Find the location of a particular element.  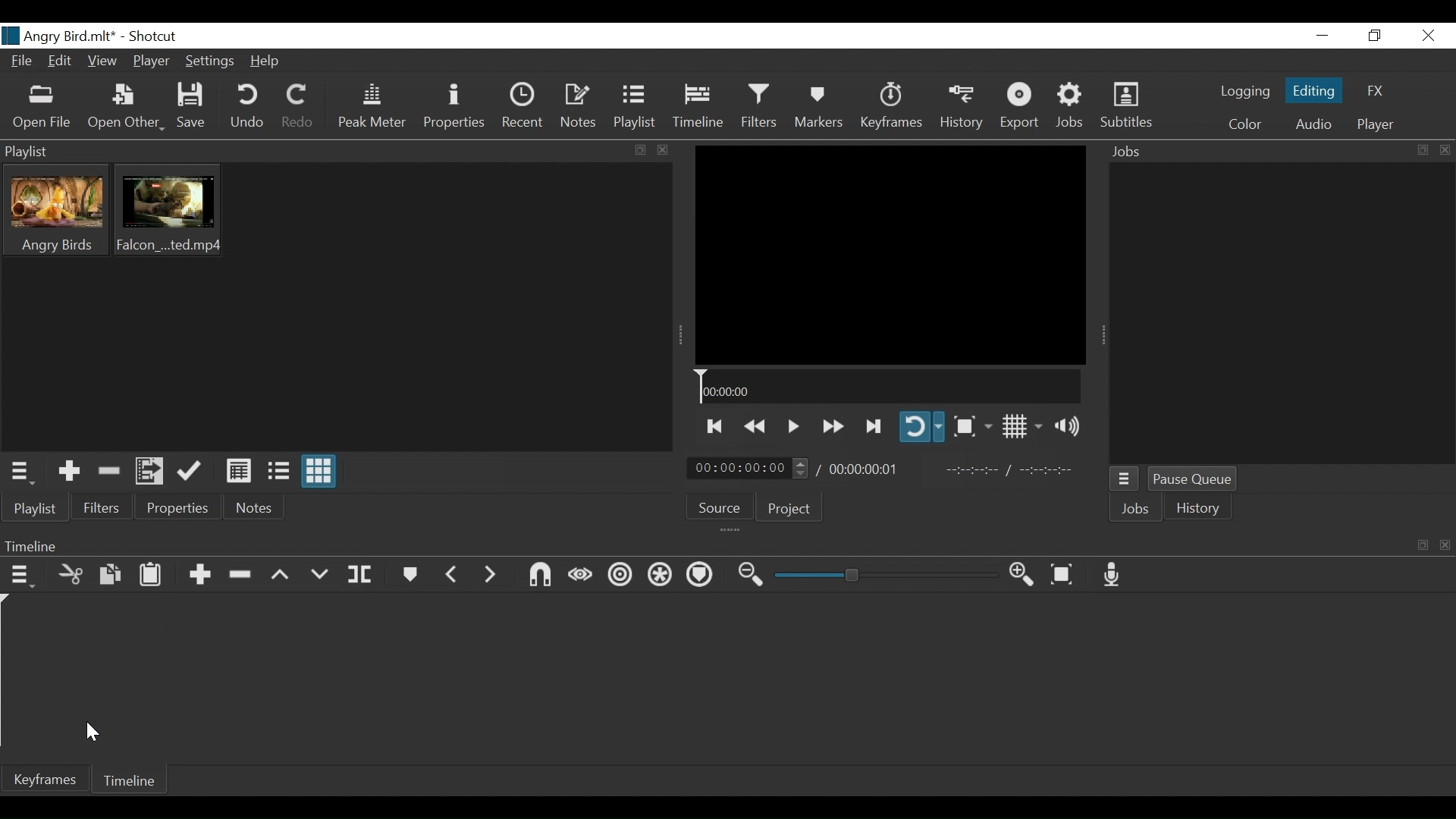

Timeline is located at coordinates (888, 385).